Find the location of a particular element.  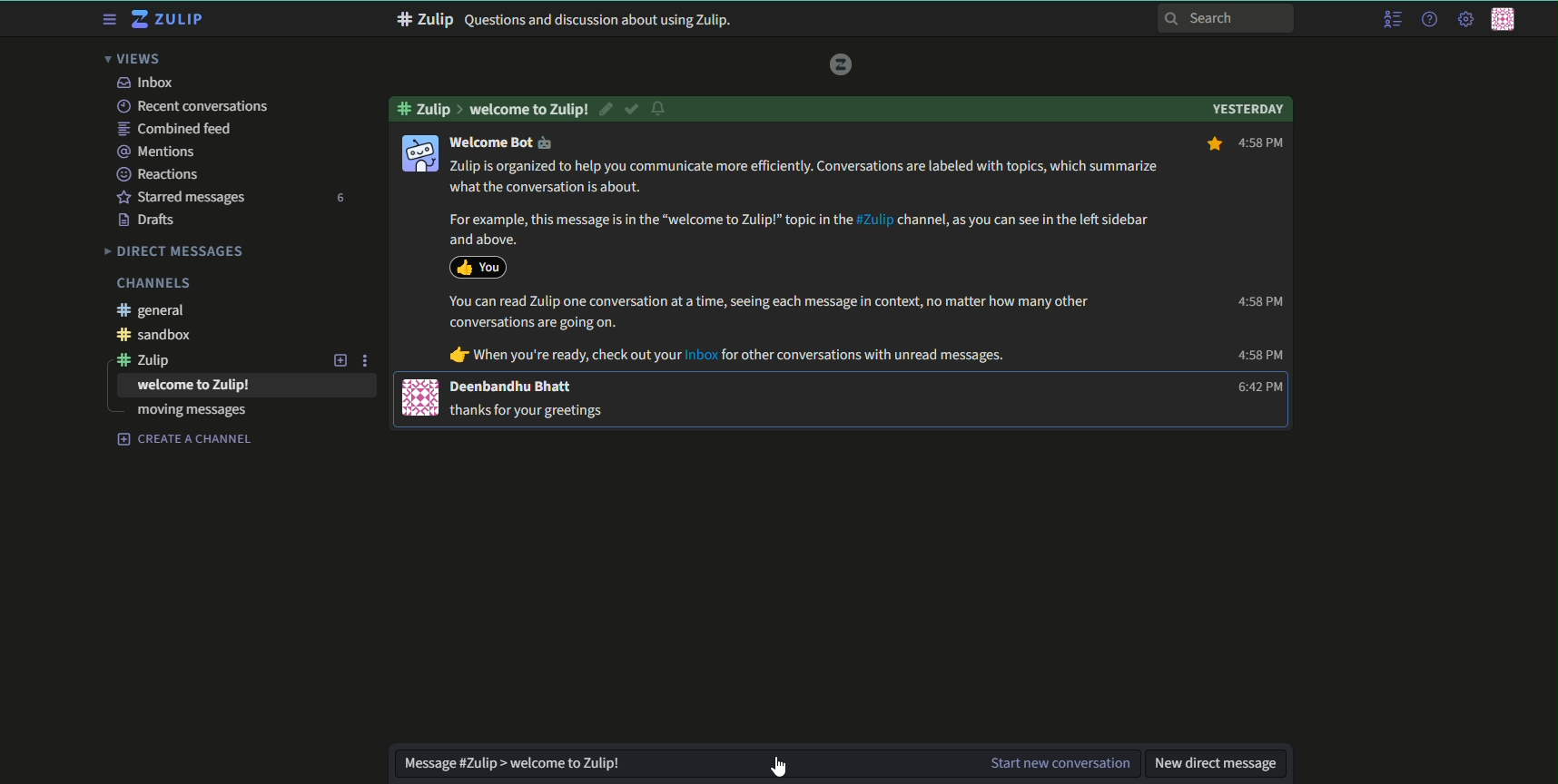

options is located at coordinates (368, 359).